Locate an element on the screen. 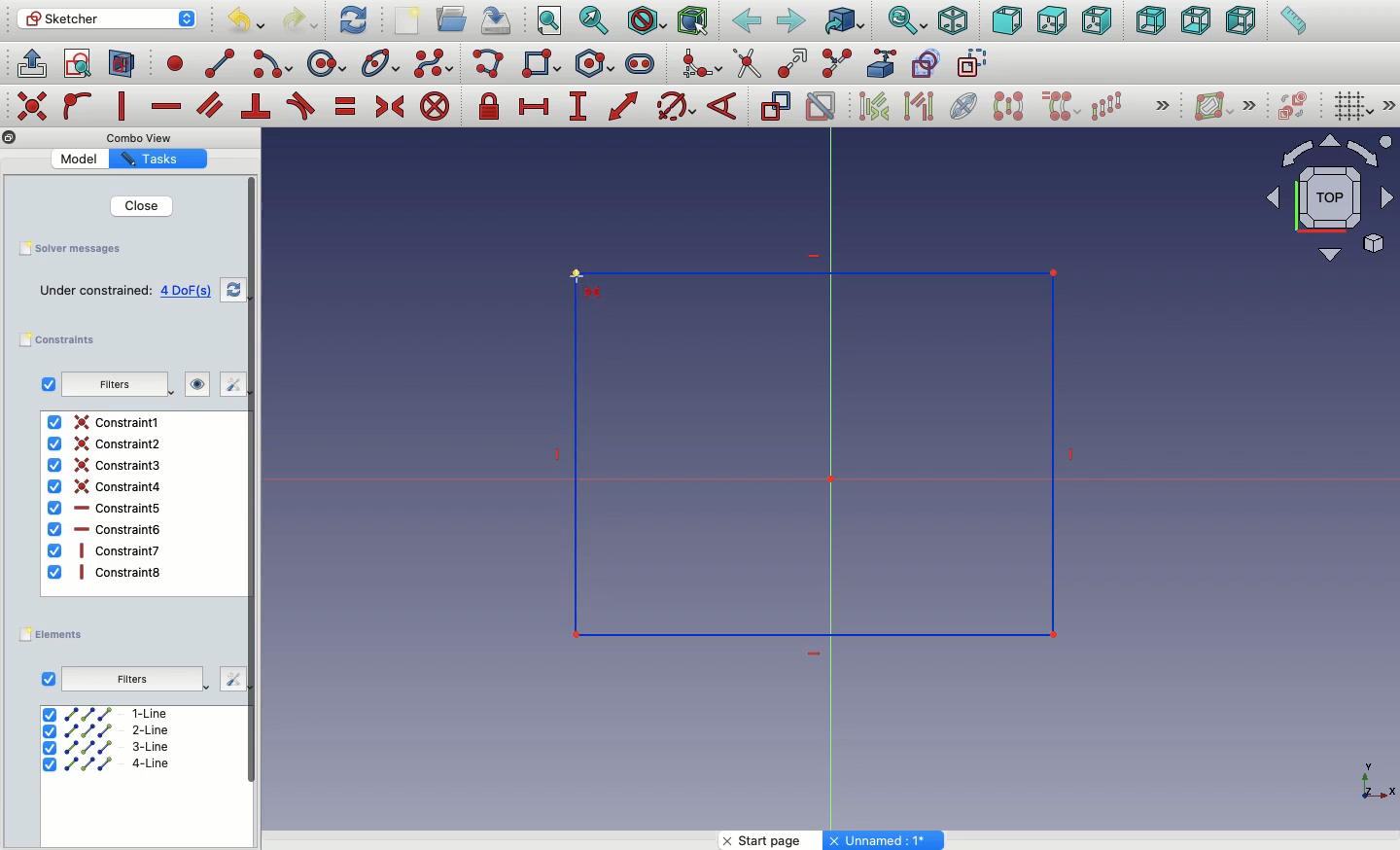  Internal geometry  is located at coordinates (964, 104).